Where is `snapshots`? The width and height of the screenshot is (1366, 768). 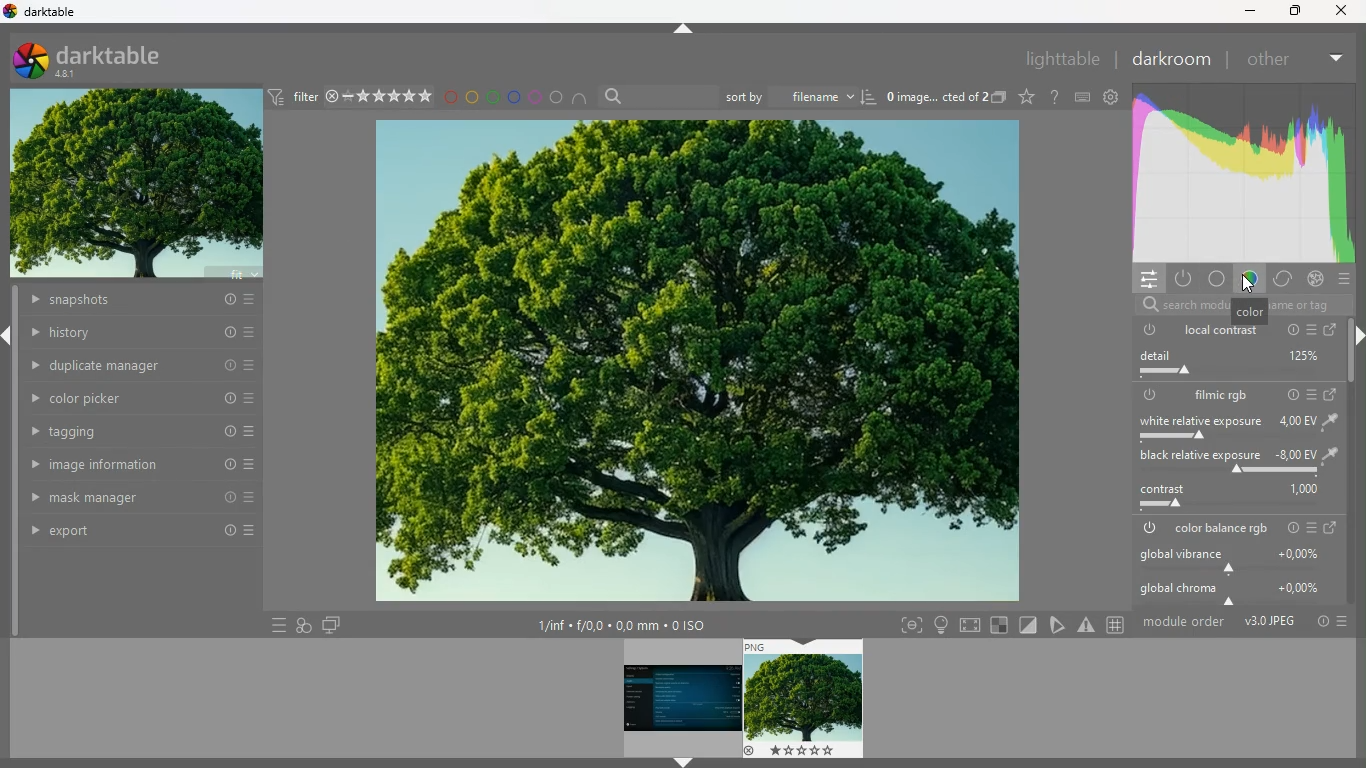
snapshots is located at coordinates (139, 302).